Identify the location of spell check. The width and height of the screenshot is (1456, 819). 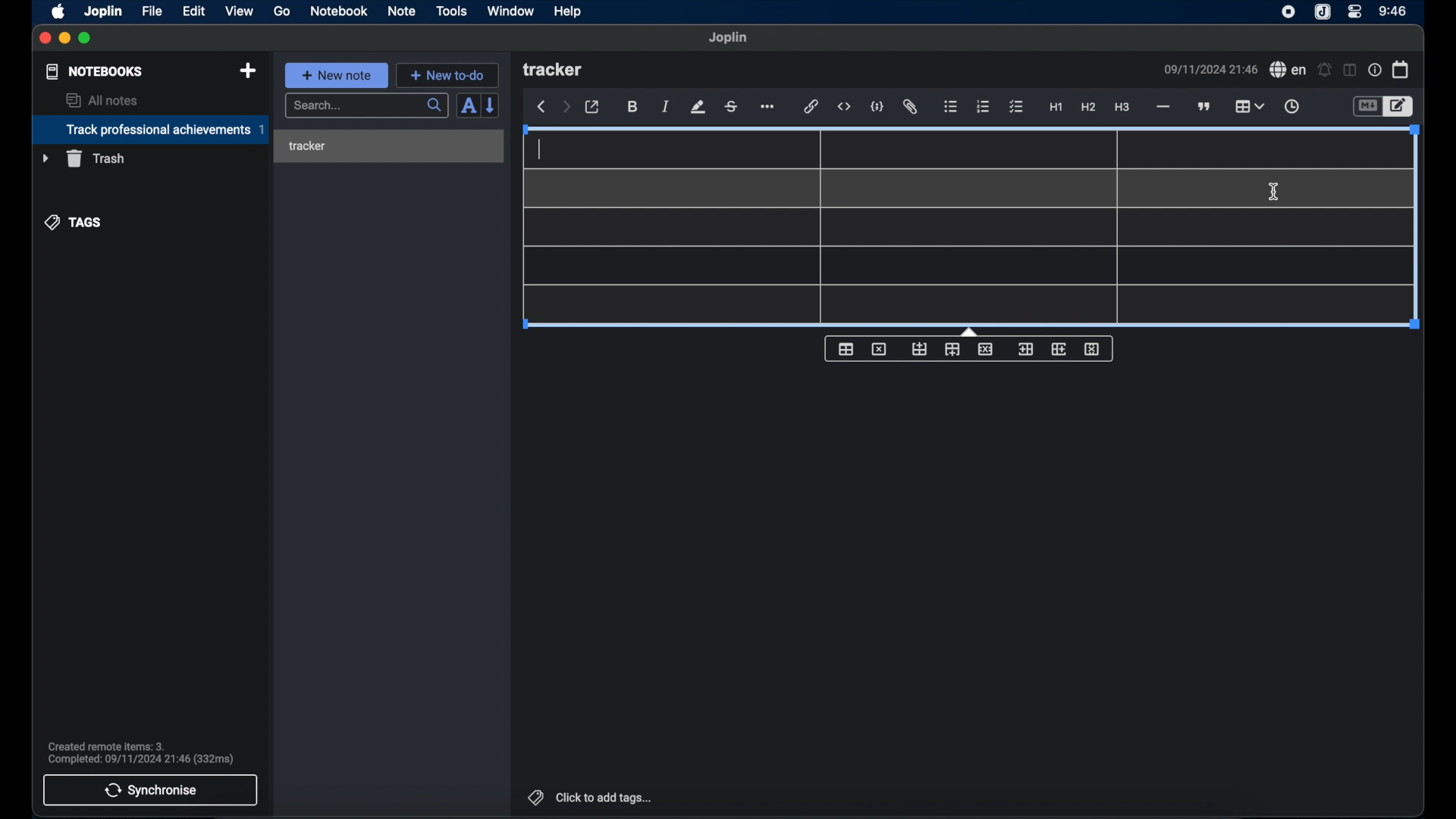
(1288, 70).